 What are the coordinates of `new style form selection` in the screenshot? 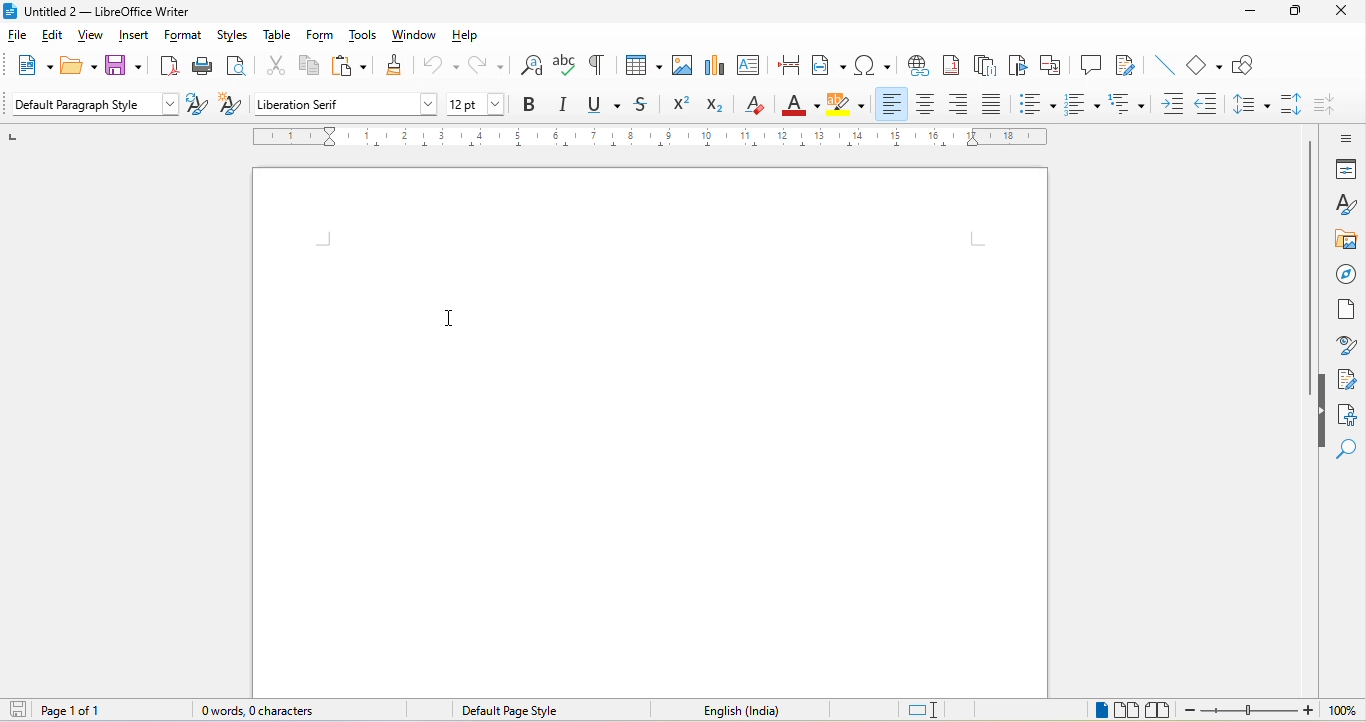 It's located at (228, 106).